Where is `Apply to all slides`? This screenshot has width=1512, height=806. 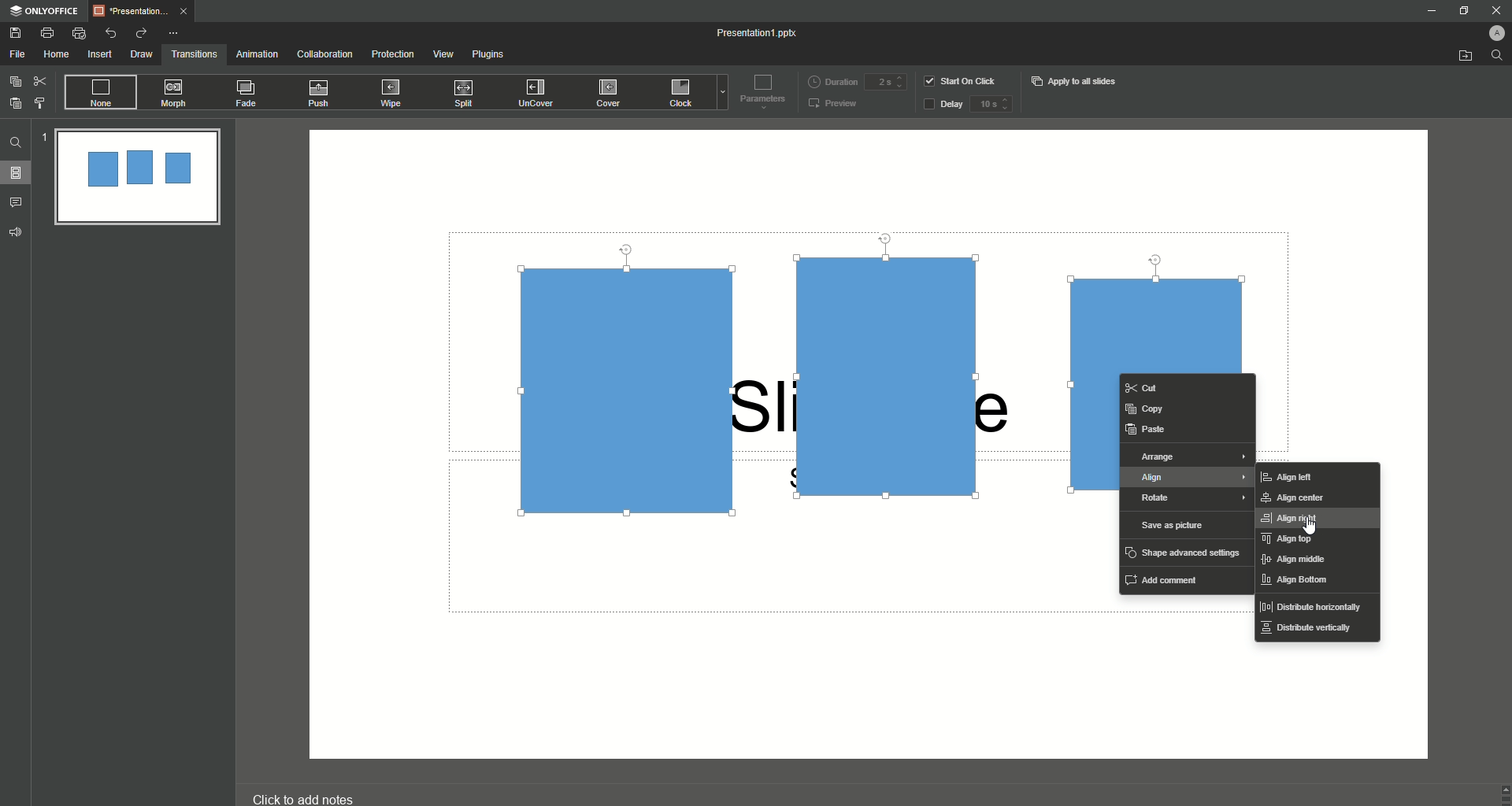
Apply to all slides is located at coordinates (1076, 81).